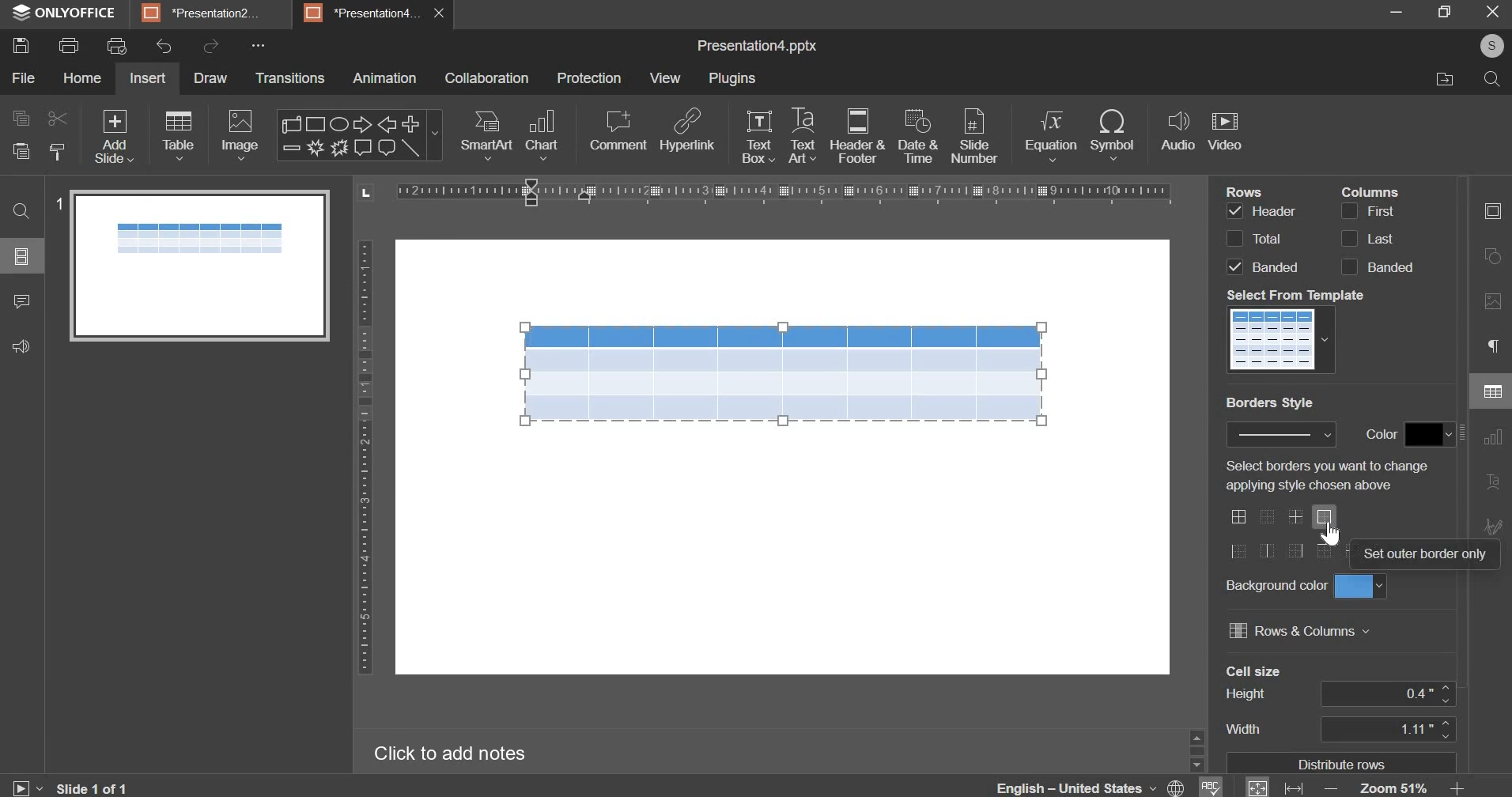 The image size is (1512, 797). What do you see at coordinates (385, 77) in the screenshot?
I see `animation` at bounding box center [385, 77].